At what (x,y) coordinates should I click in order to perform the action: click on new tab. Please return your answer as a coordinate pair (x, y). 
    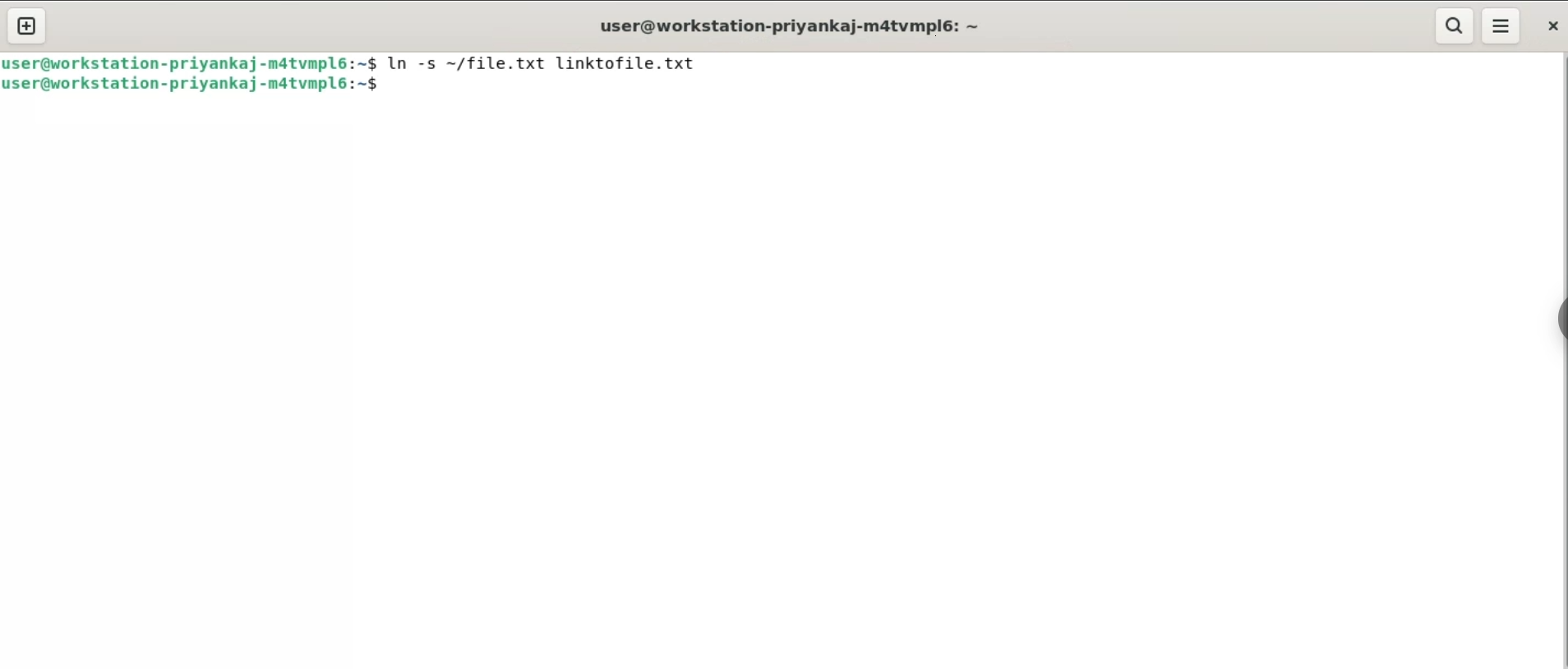
    Looking at the image, I should click on (28, 26).